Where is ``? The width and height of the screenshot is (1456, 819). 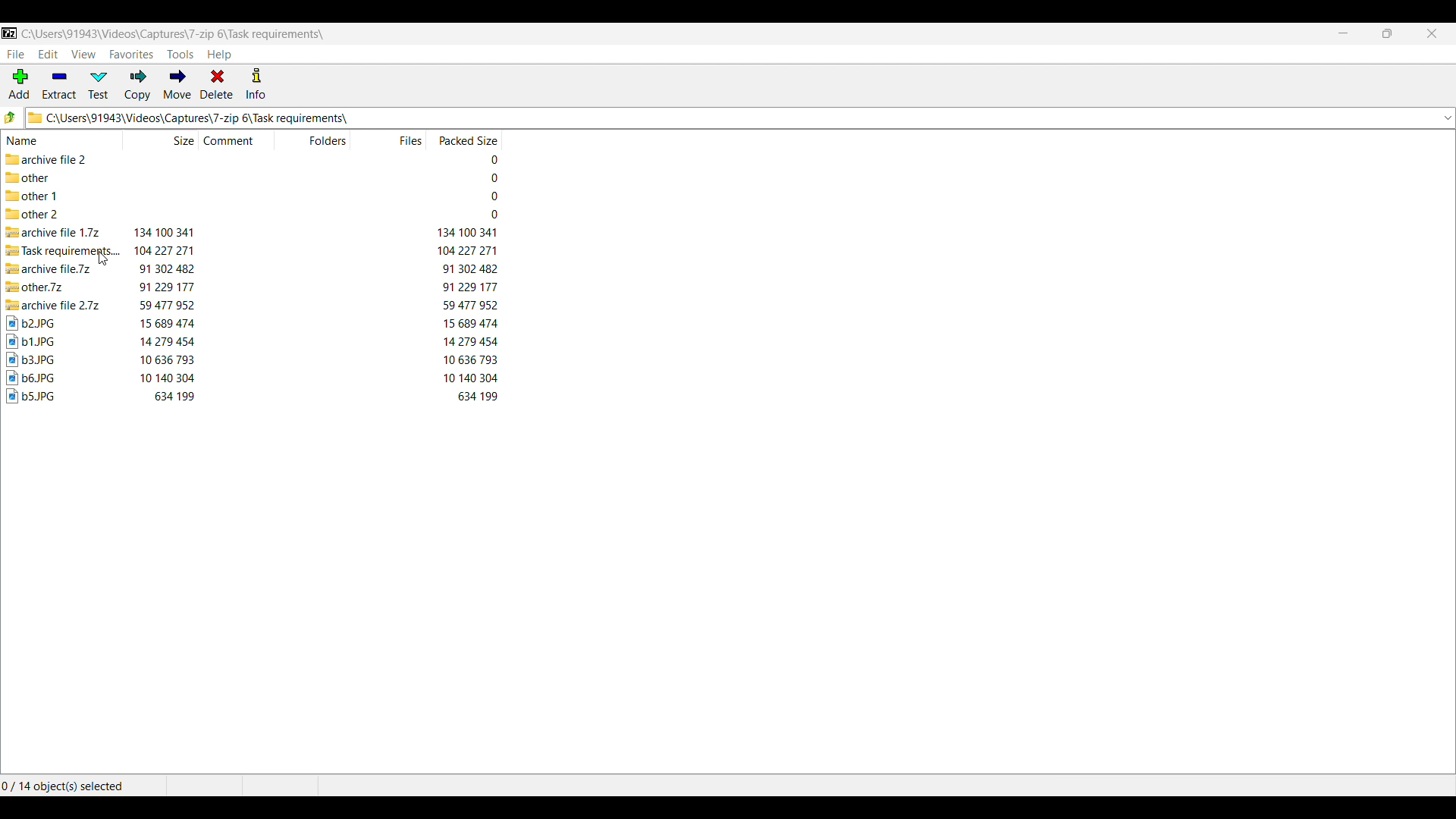  is located at coordinates (35, 287).